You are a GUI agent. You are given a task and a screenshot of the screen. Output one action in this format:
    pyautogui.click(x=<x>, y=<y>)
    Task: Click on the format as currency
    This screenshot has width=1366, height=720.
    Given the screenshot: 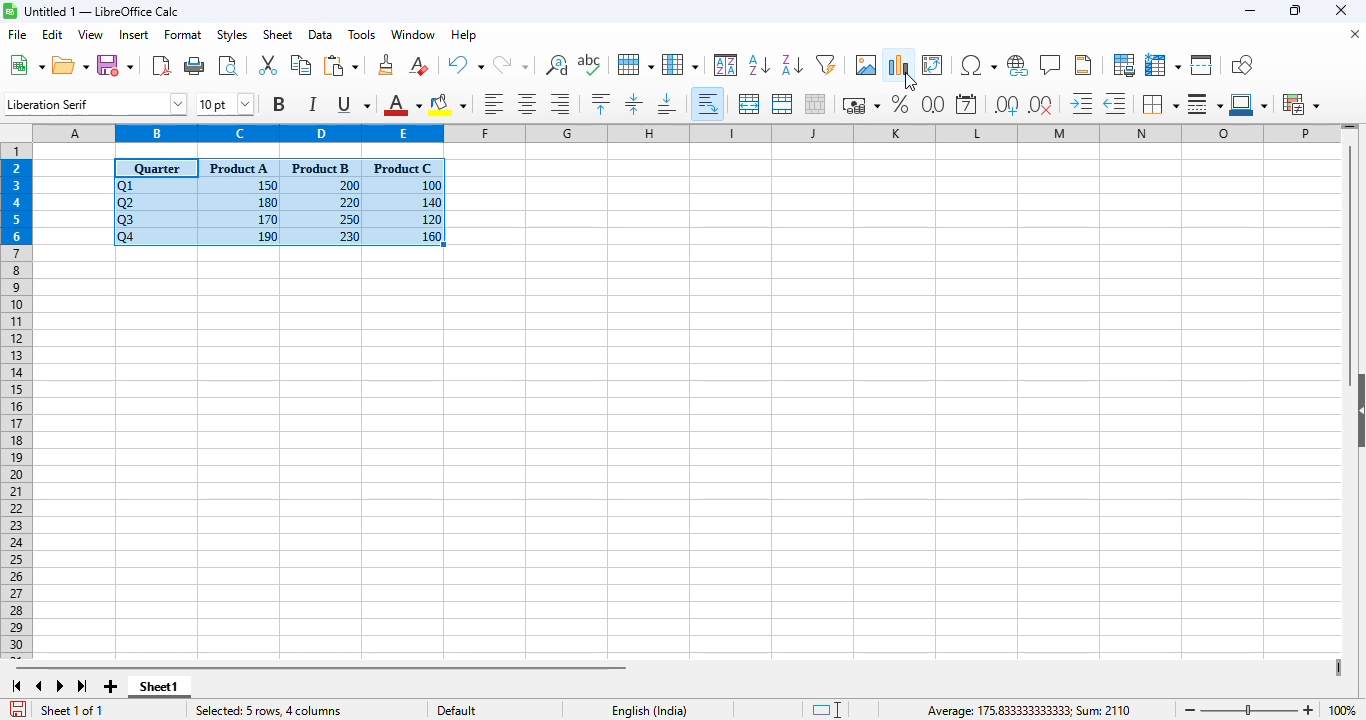 What is the action you would take?
    pyautogui.click(x=860, y=105)
    